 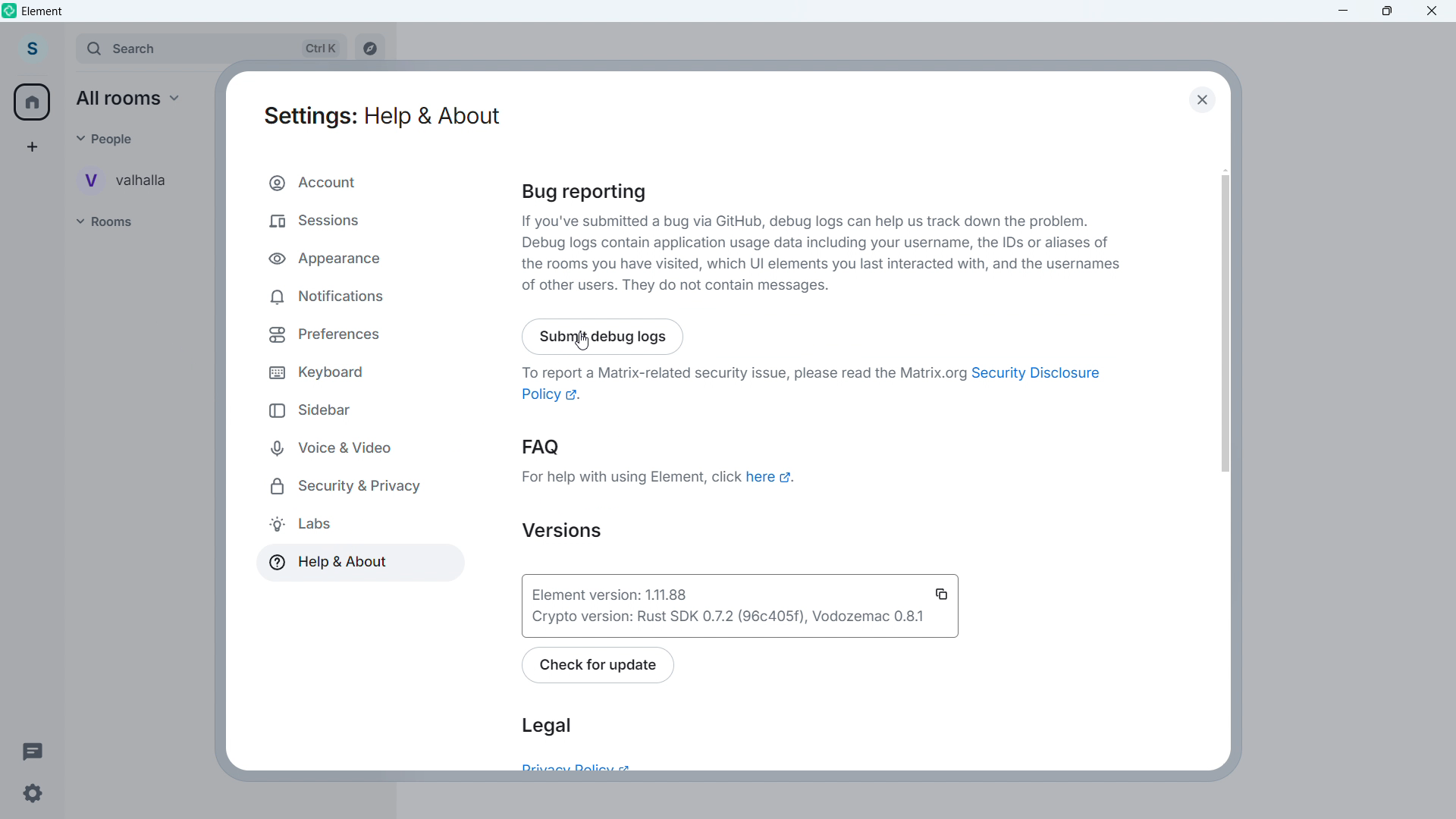 What do you see at coordinates (326, 563) in the screenshot?
I see `Help and about ` at bounding box center [326, 563].